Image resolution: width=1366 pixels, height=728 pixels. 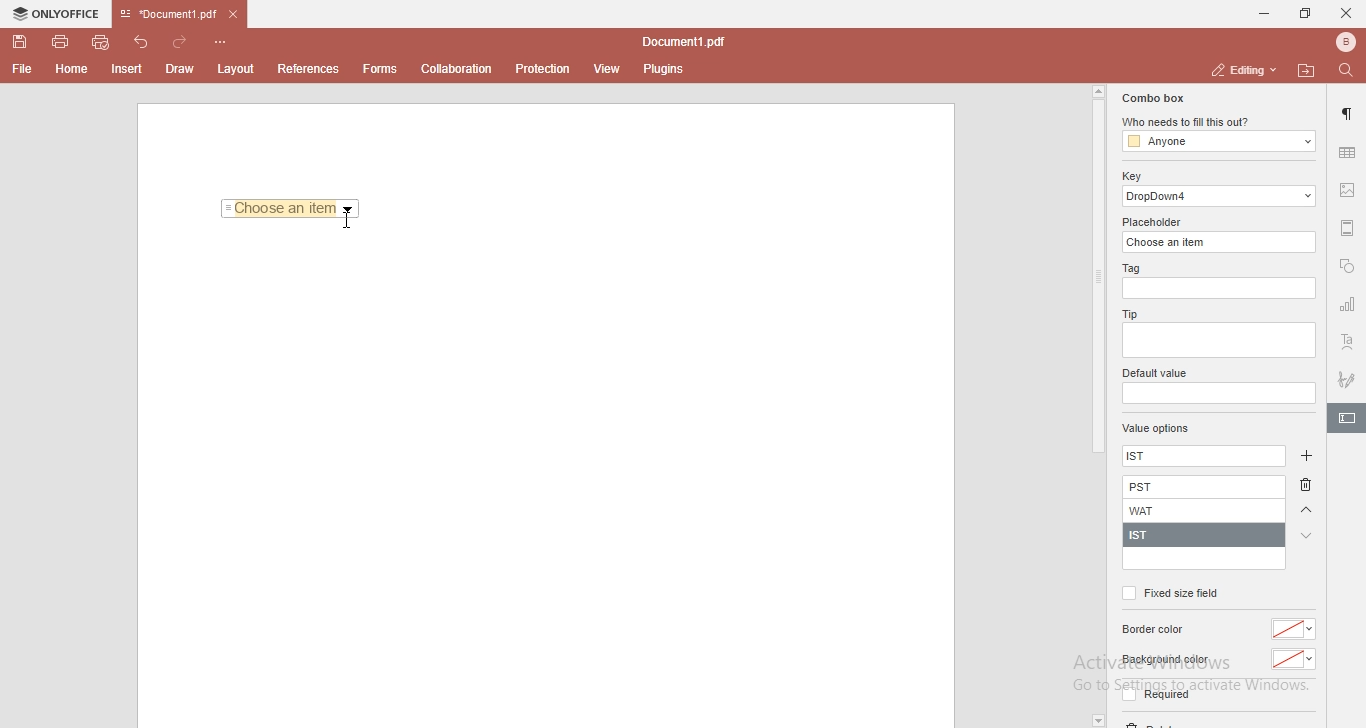 I want to click on References, so click(x=306, y=69).